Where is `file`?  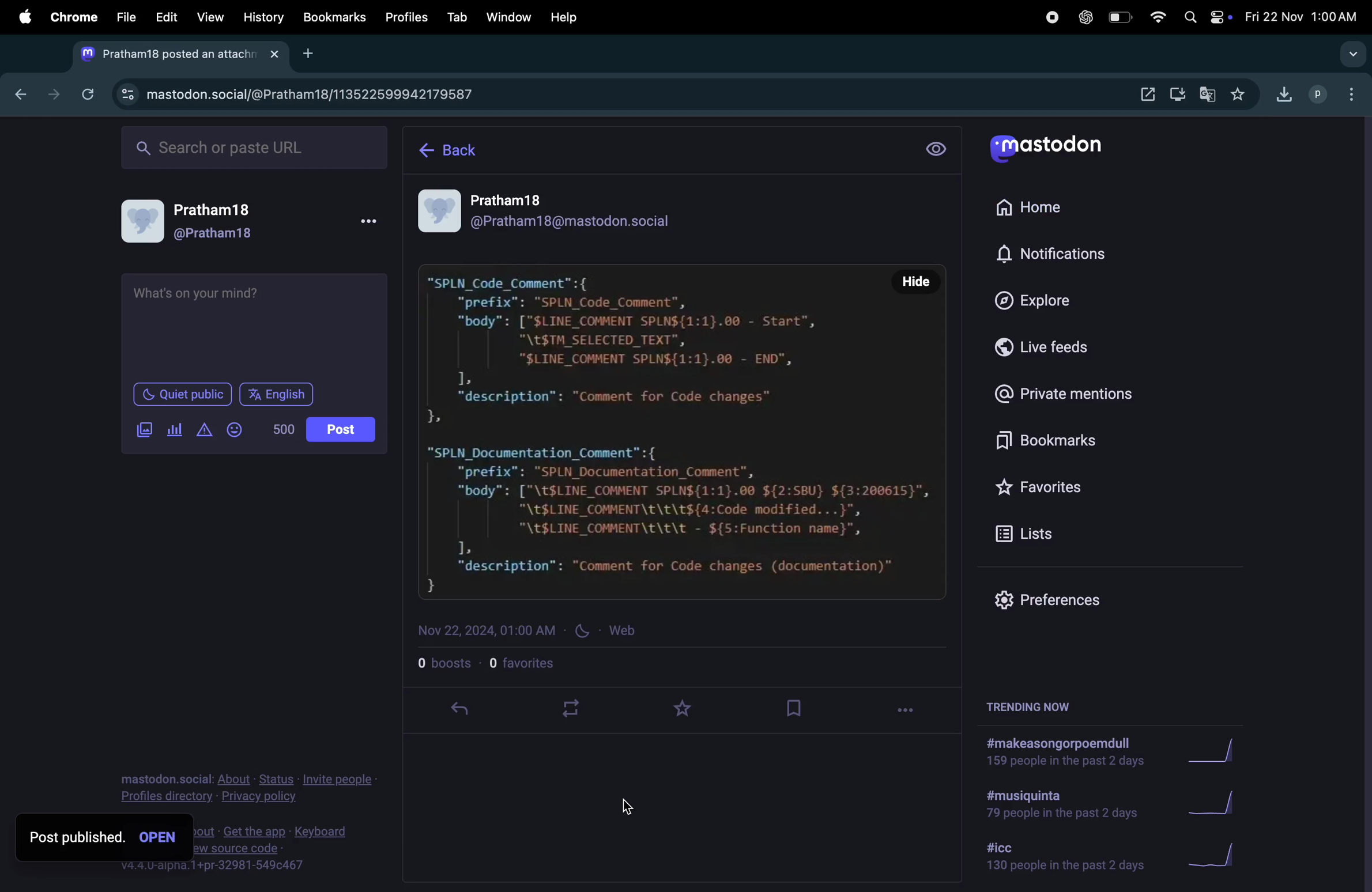 file is located at coordinates (122, 18).